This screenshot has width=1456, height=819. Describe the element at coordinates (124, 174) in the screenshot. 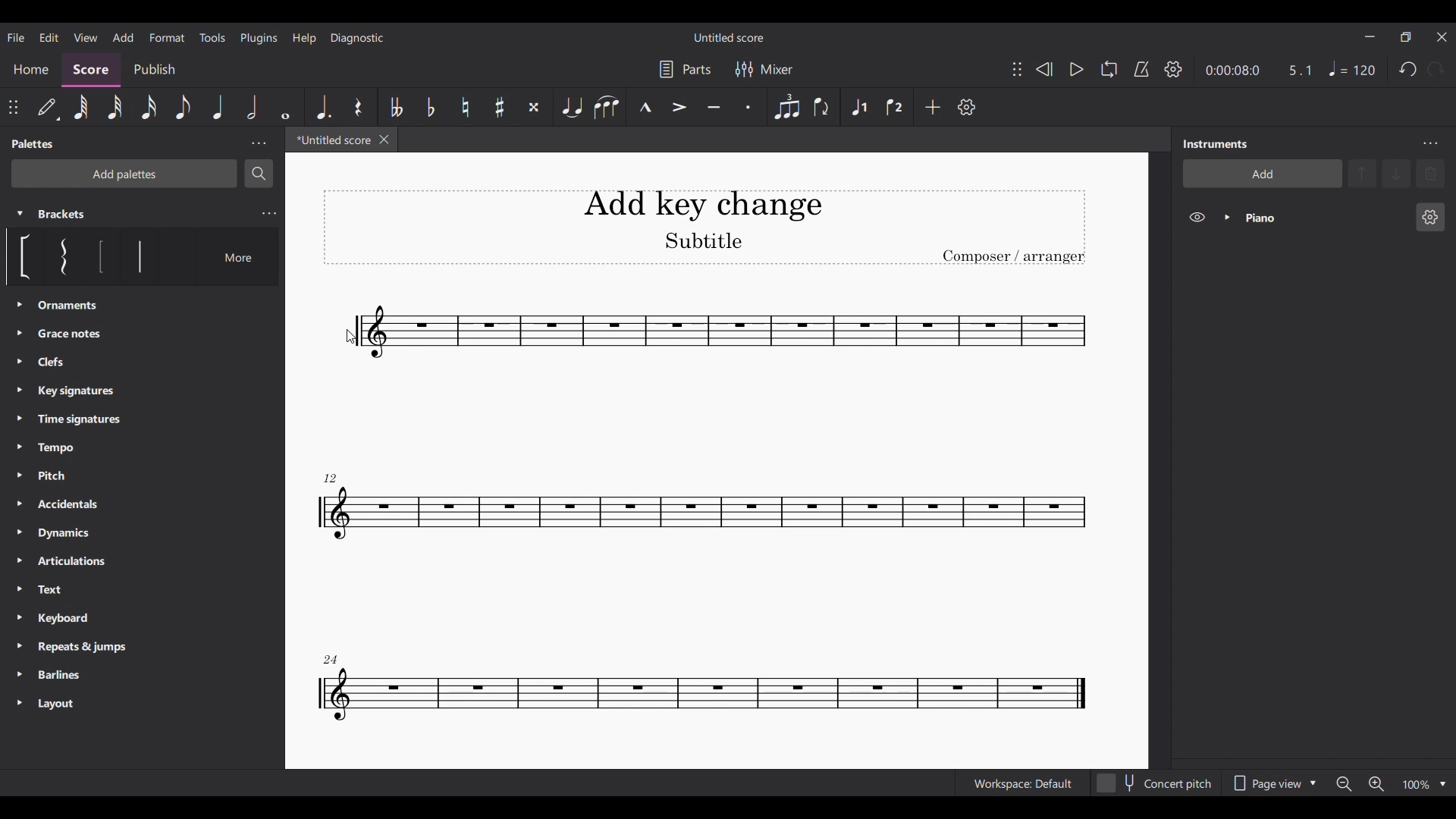

I see `Add palettes` at that location.